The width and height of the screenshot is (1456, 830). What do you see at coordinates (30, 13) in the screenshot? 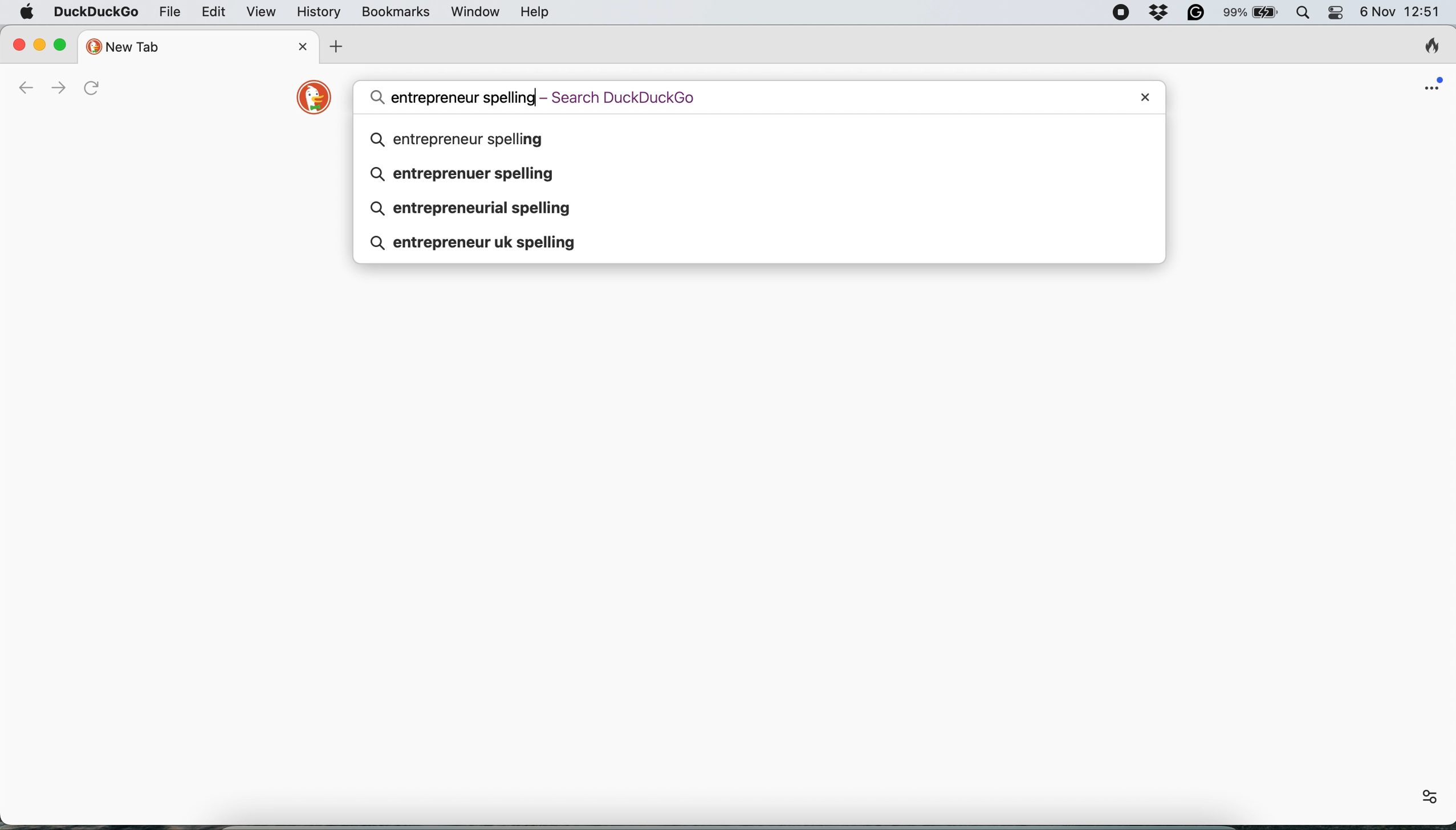
I see `system logo` at bounding box center [30, 13].